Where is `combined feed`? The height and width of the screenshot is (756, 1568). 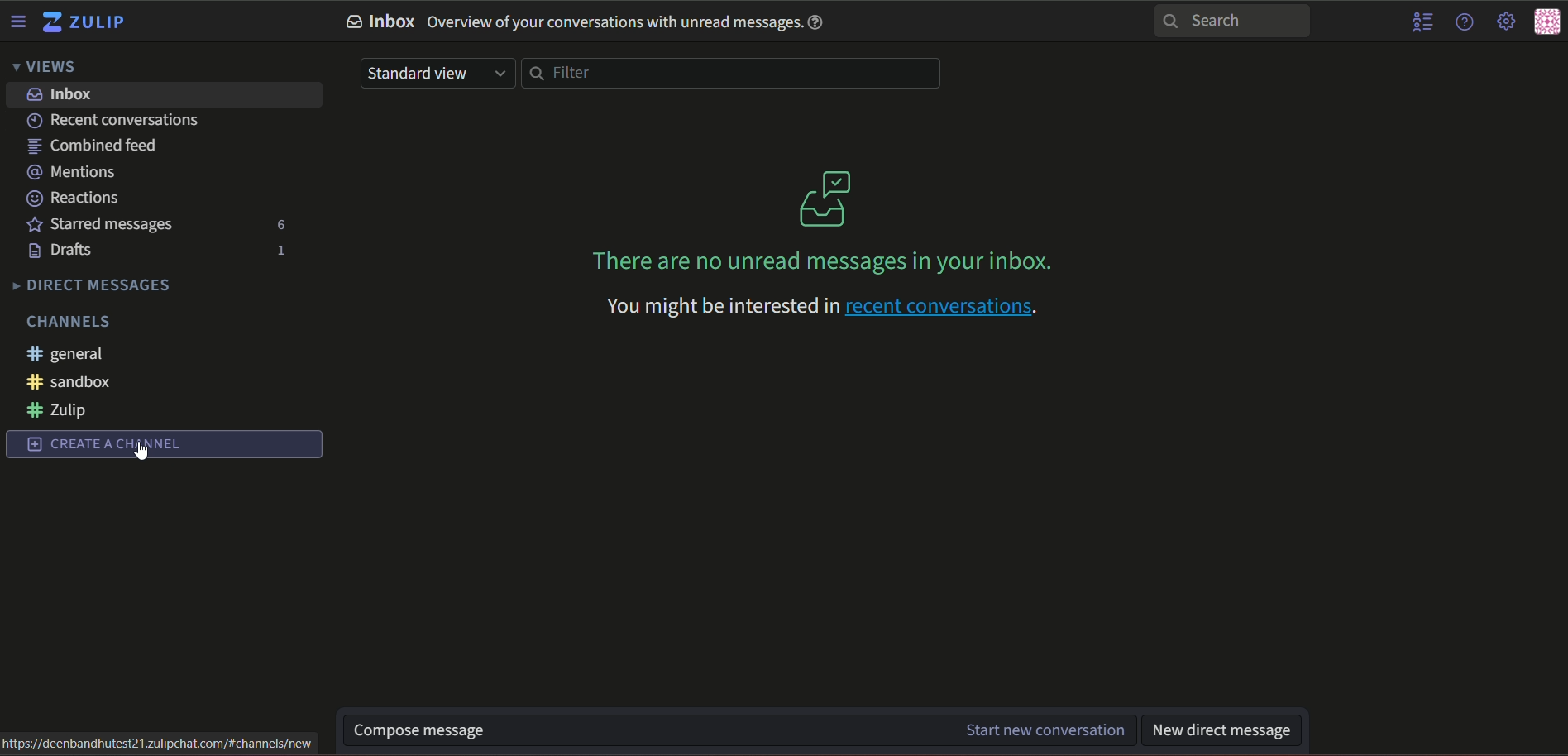 combined feed is located at coordinates (92, 147).